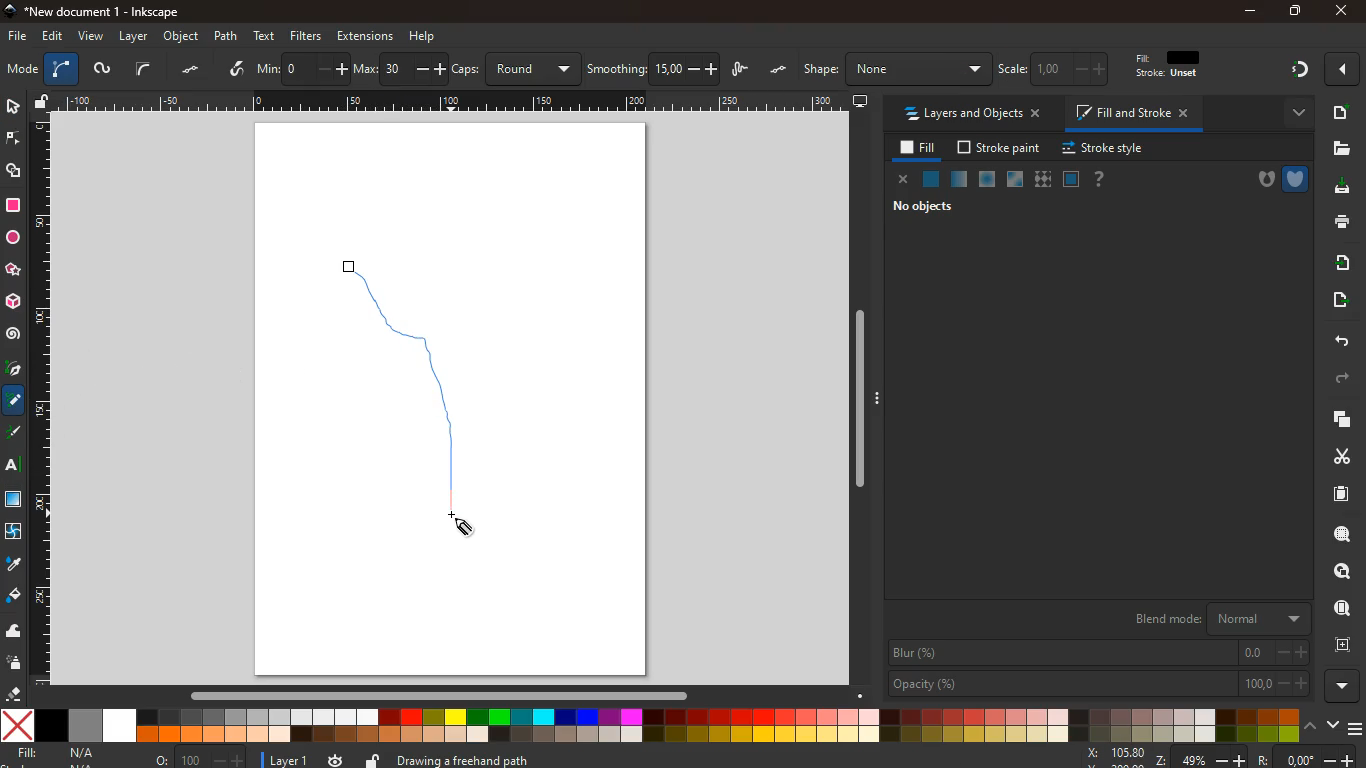 The height and width of the screenshot is (768, 1366). Describe the element at coordinates (1343, 11) in the screenshot. I see `close` at that location.